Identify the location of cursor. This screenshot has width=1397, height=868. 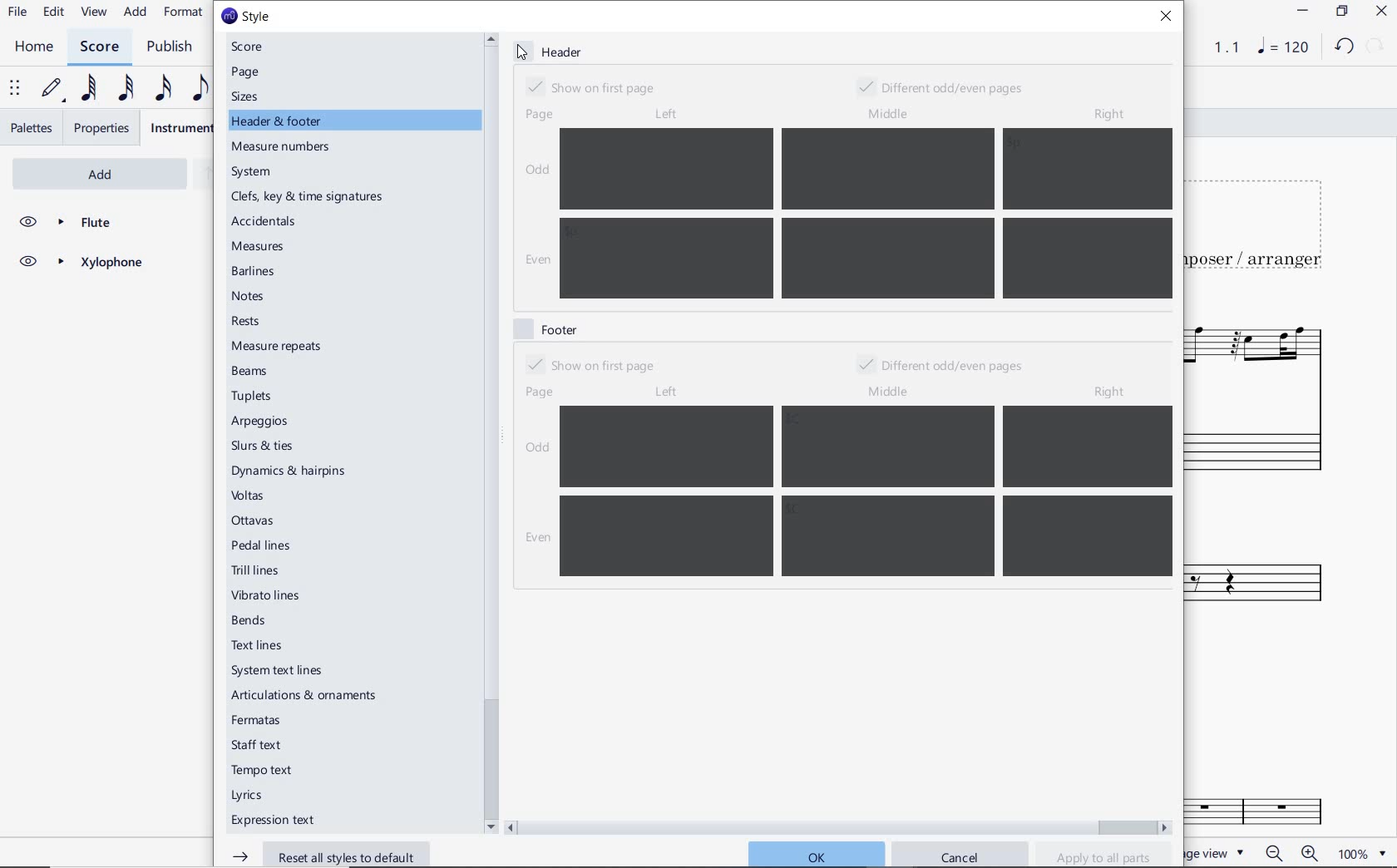
(525, 51).